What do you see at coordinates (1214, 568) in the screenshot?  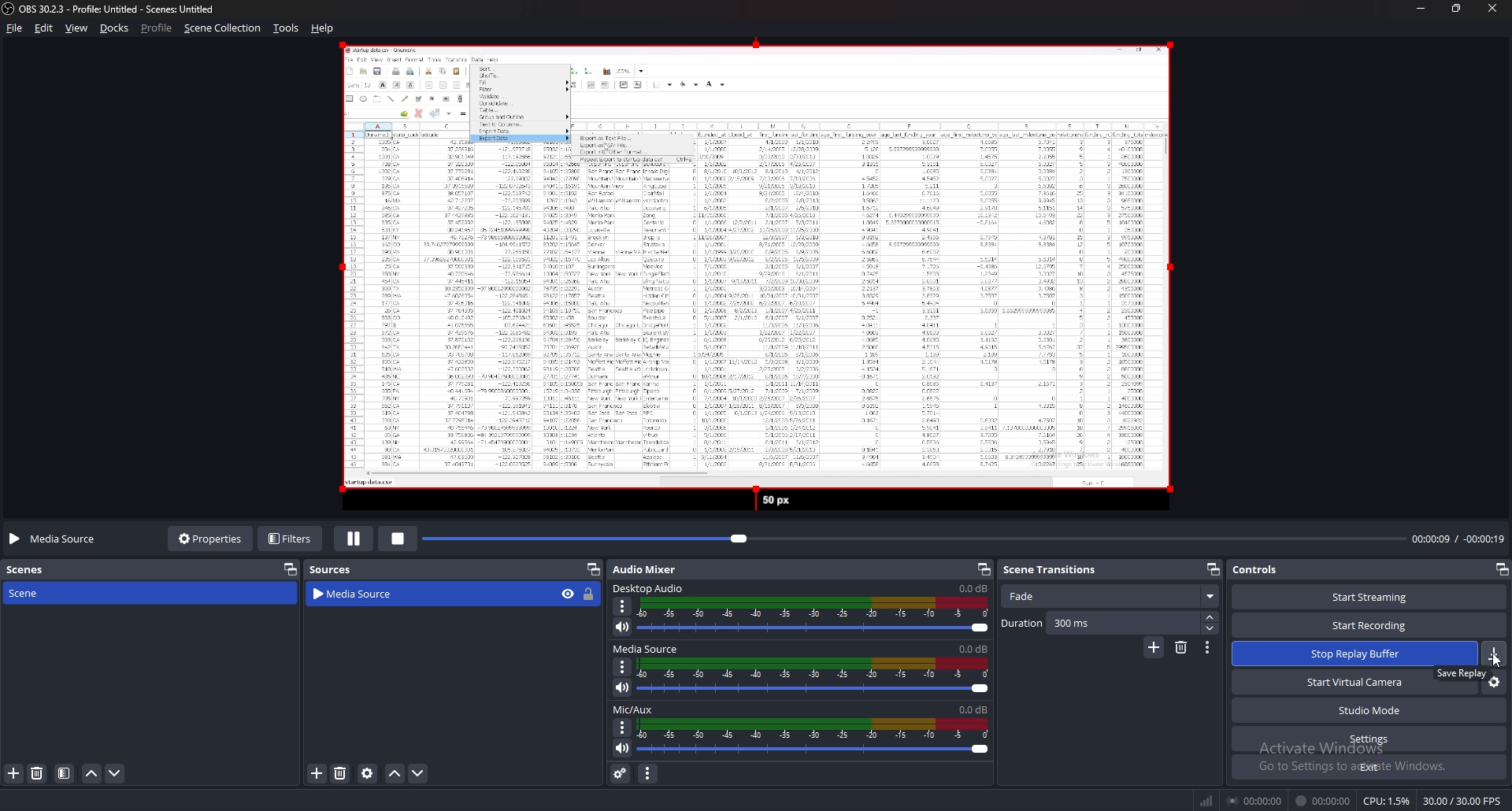 I see `pop out` at bounding box center [1214, 568].